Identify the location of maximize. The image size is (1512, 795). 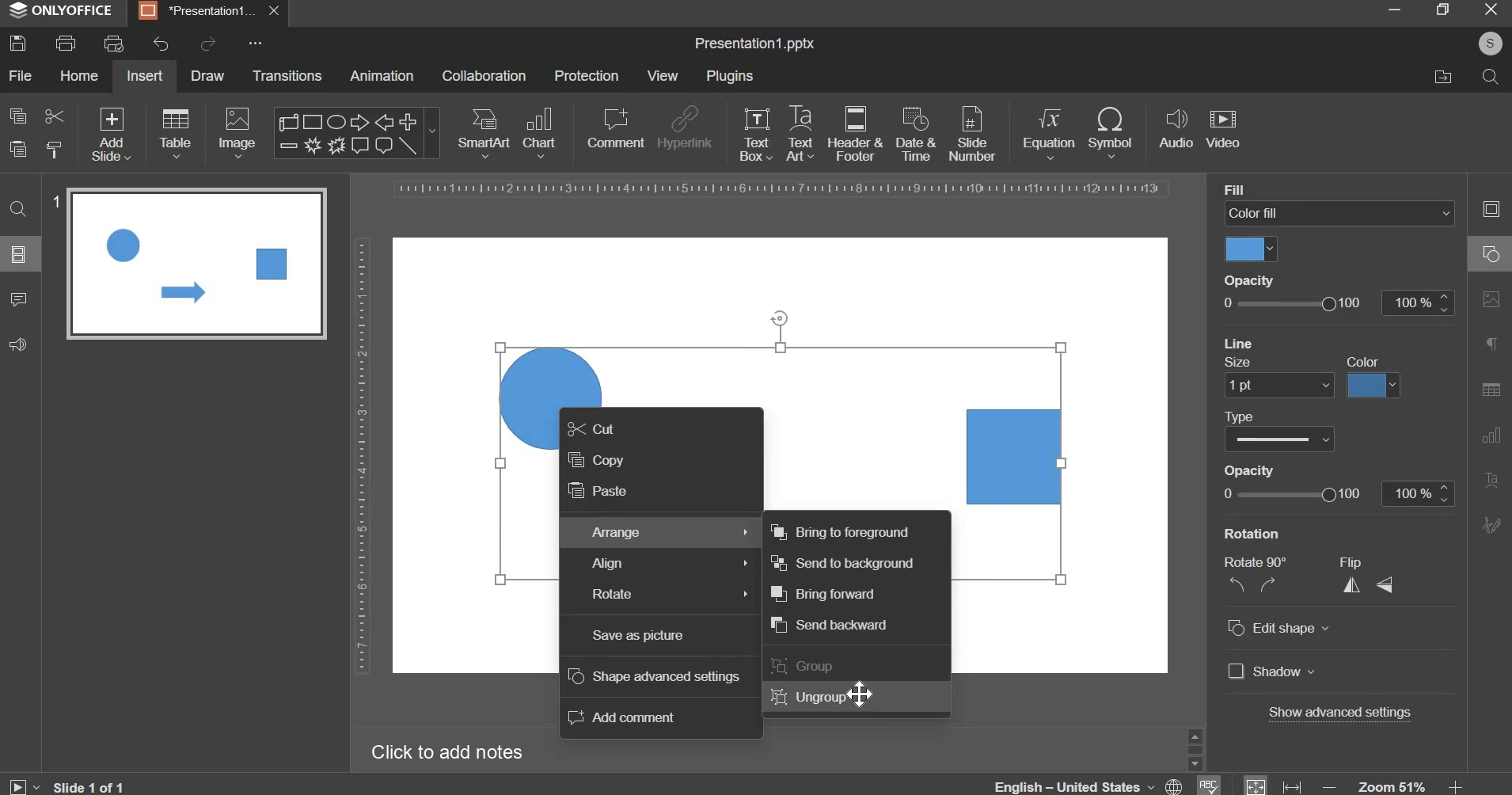
(1442, 9).